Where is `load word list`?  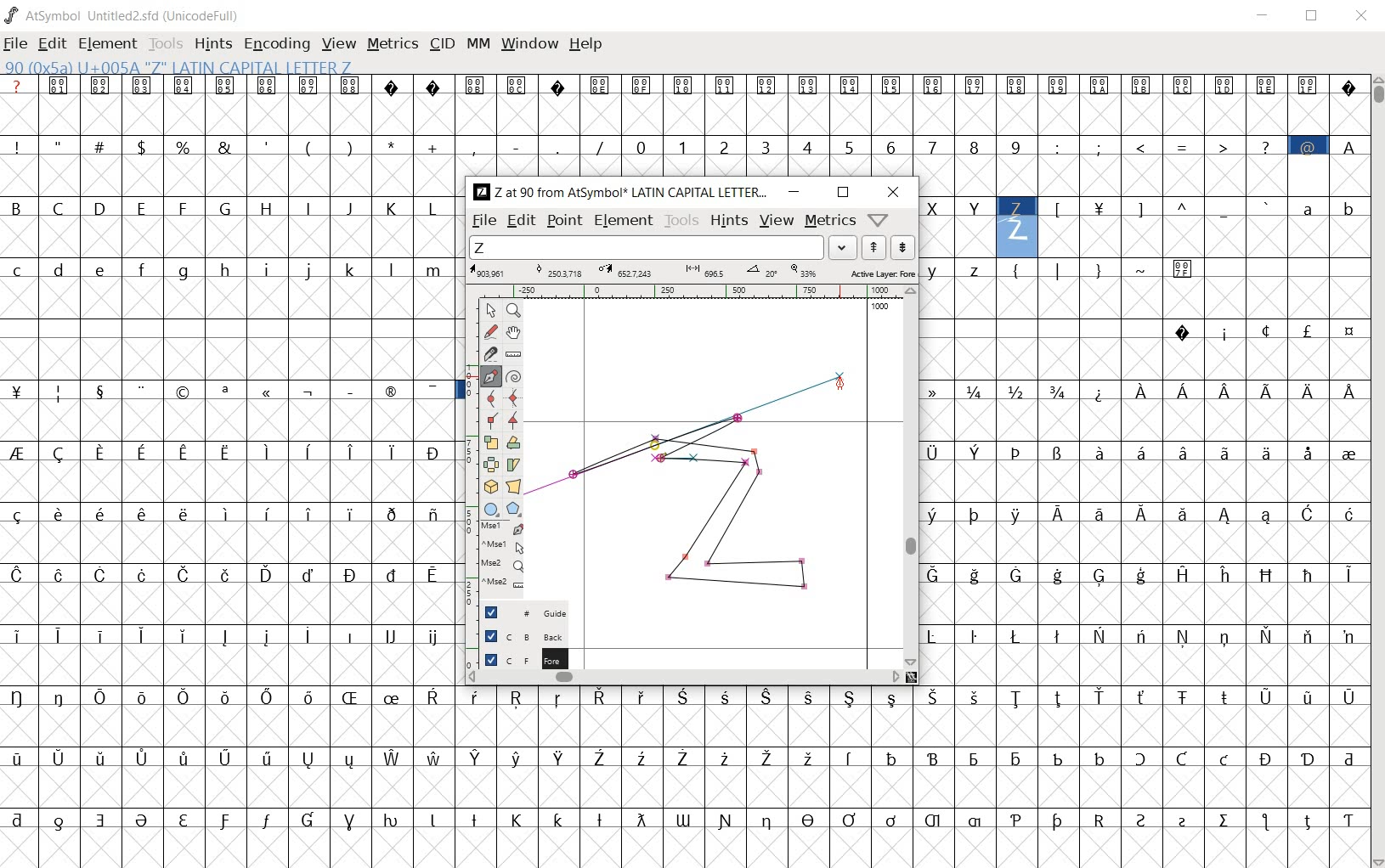 load word list is located at coordinates (665, 247).